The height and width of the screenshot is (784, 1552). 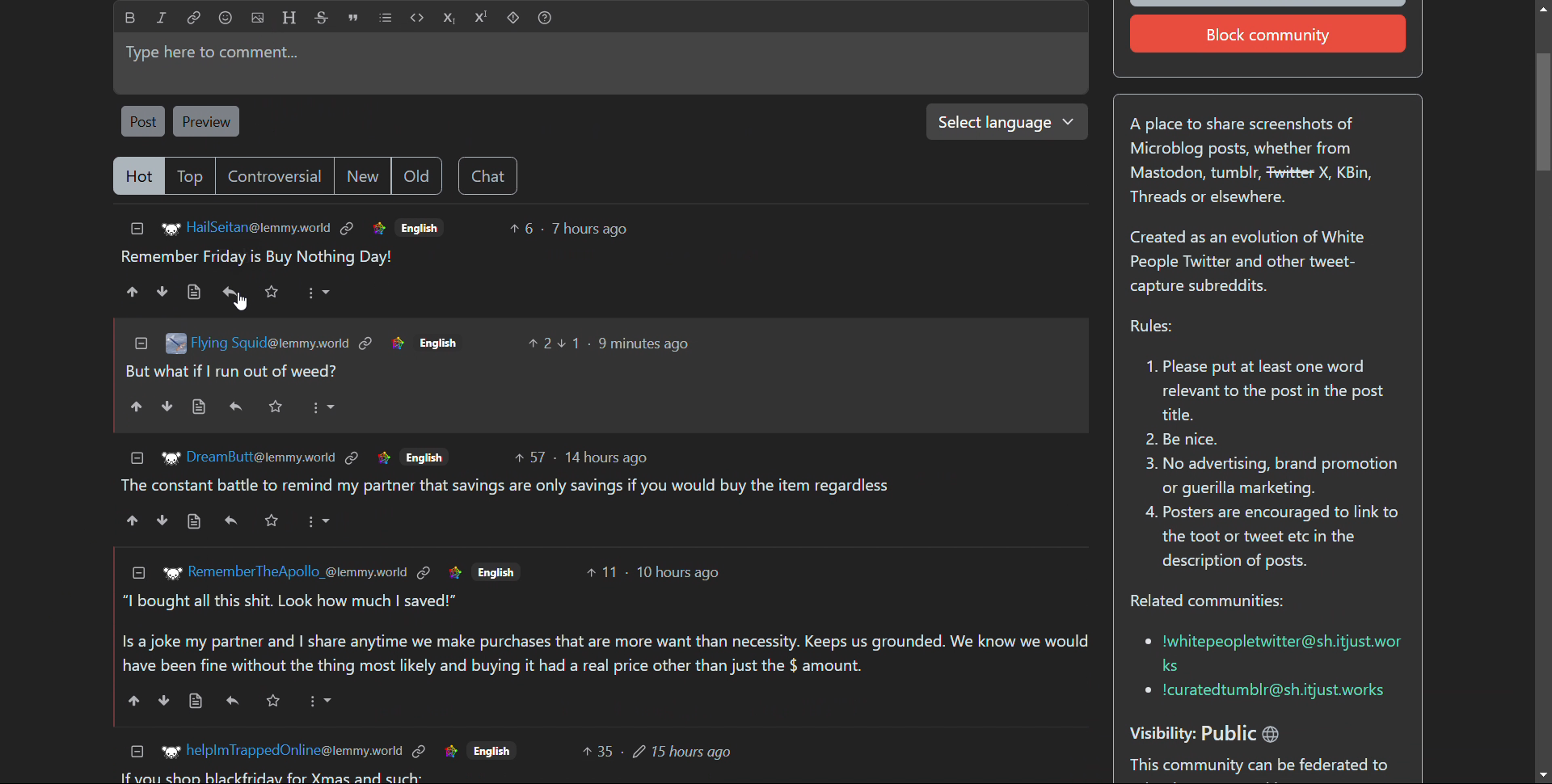 What do you see at coordinates (438, 344) in the screenshot?
I see `language` at bounding box center [438, 344].